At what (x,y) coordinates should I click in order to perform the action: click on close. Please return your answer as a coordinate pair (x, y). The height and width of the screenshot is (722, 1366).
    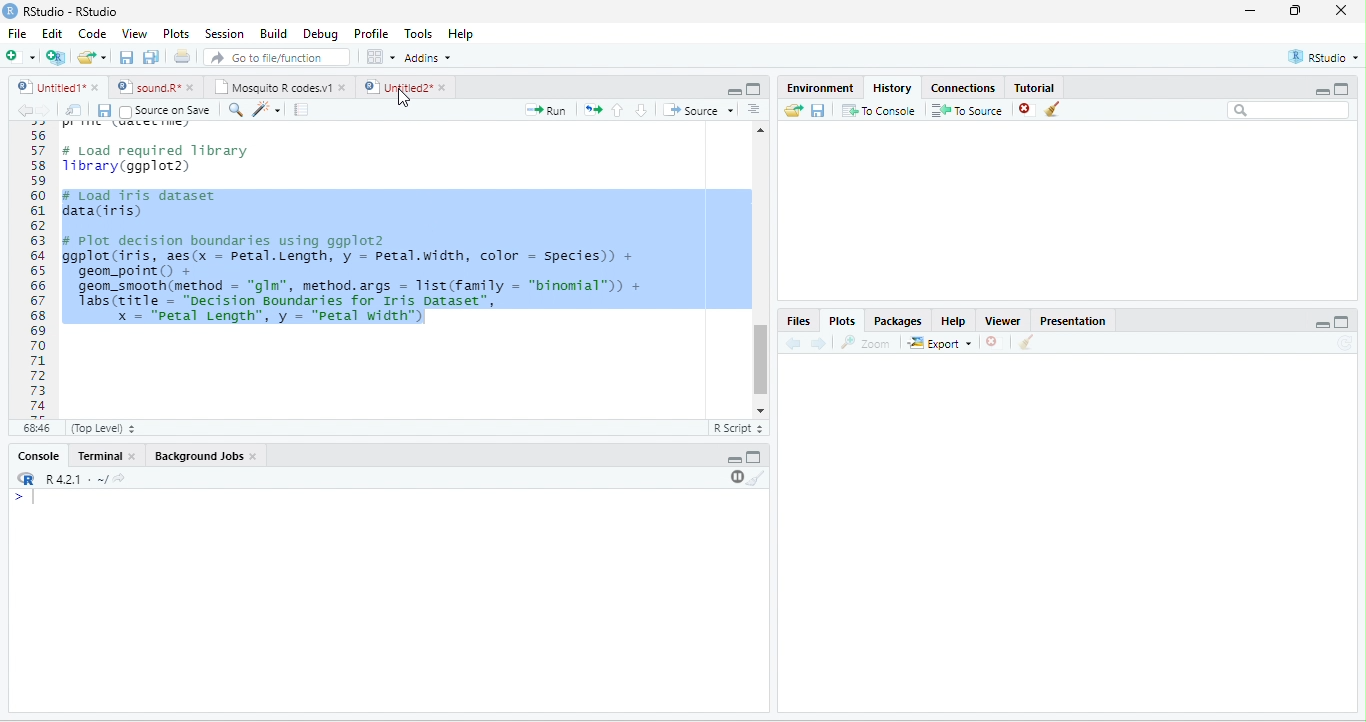
    Looking at the image, I should click on (445, 87).